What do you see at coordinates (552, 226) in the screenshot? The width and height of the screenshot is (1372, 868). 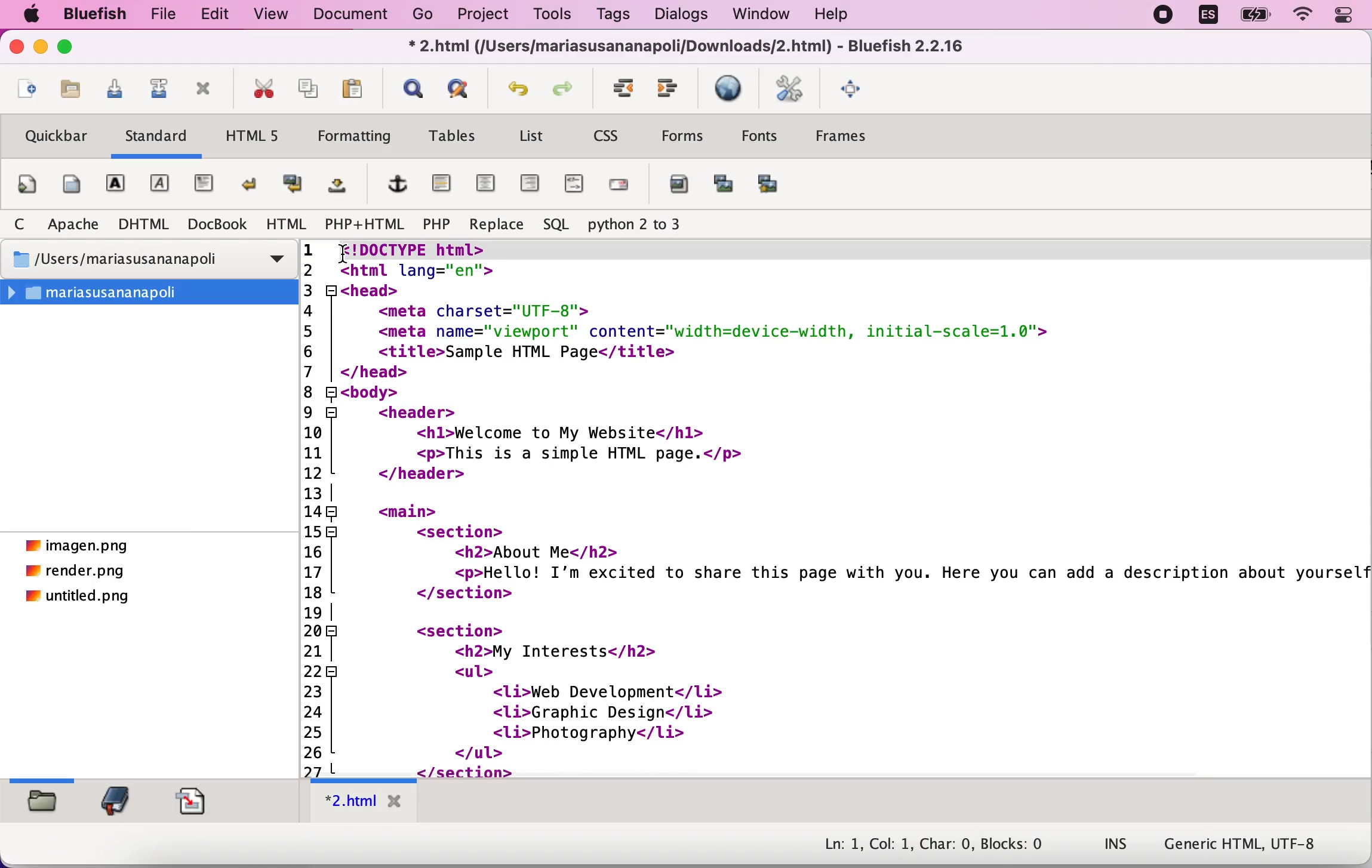 I see `sql` at bounding box center [552, 226].